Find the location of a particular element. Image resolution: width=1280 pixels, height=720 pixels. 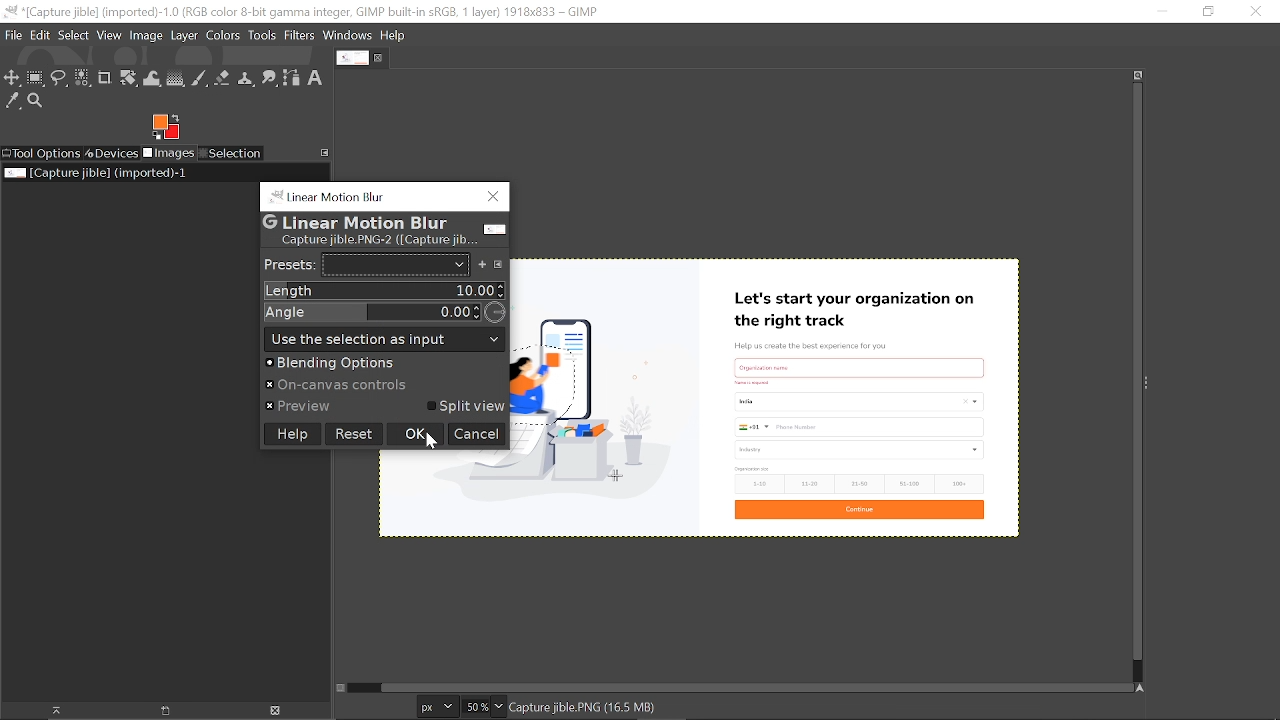

Text tool is located at coordinates (316, 78).